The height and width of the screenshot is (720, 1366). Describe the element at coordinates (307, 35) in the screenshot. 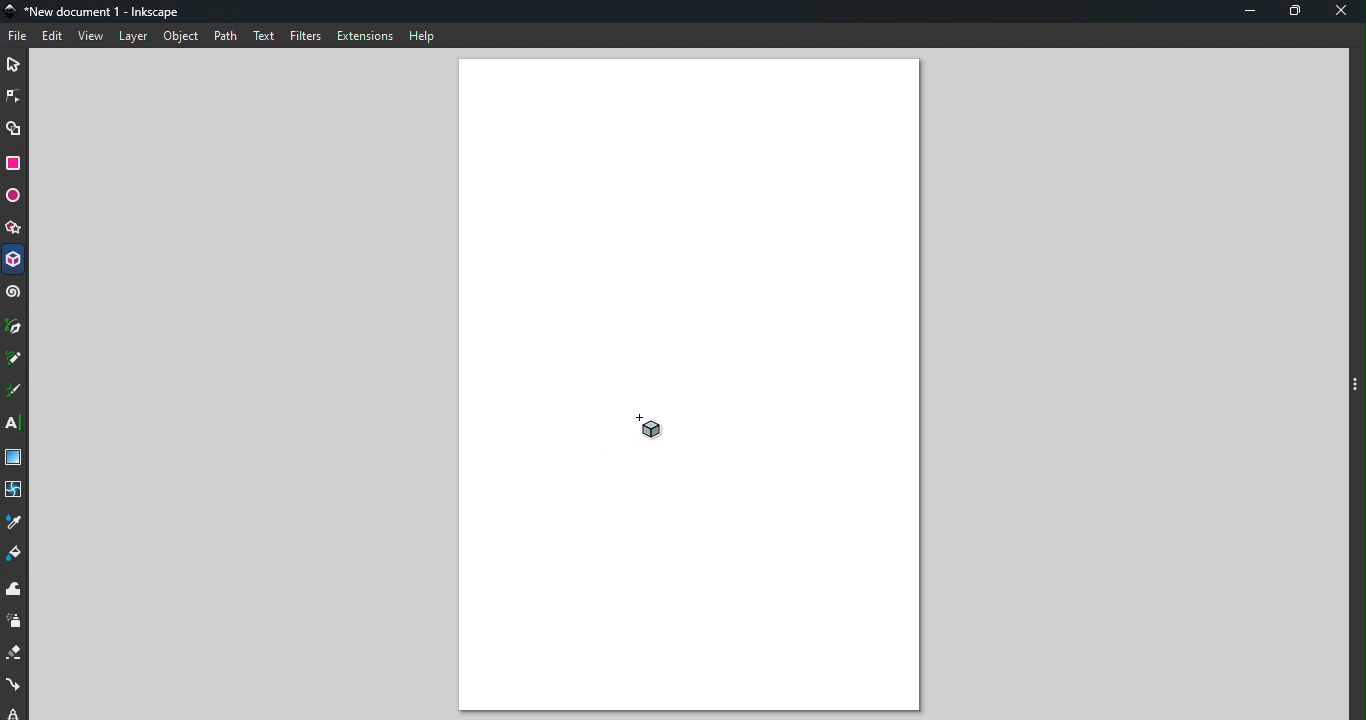

I see `Filters` at that location.